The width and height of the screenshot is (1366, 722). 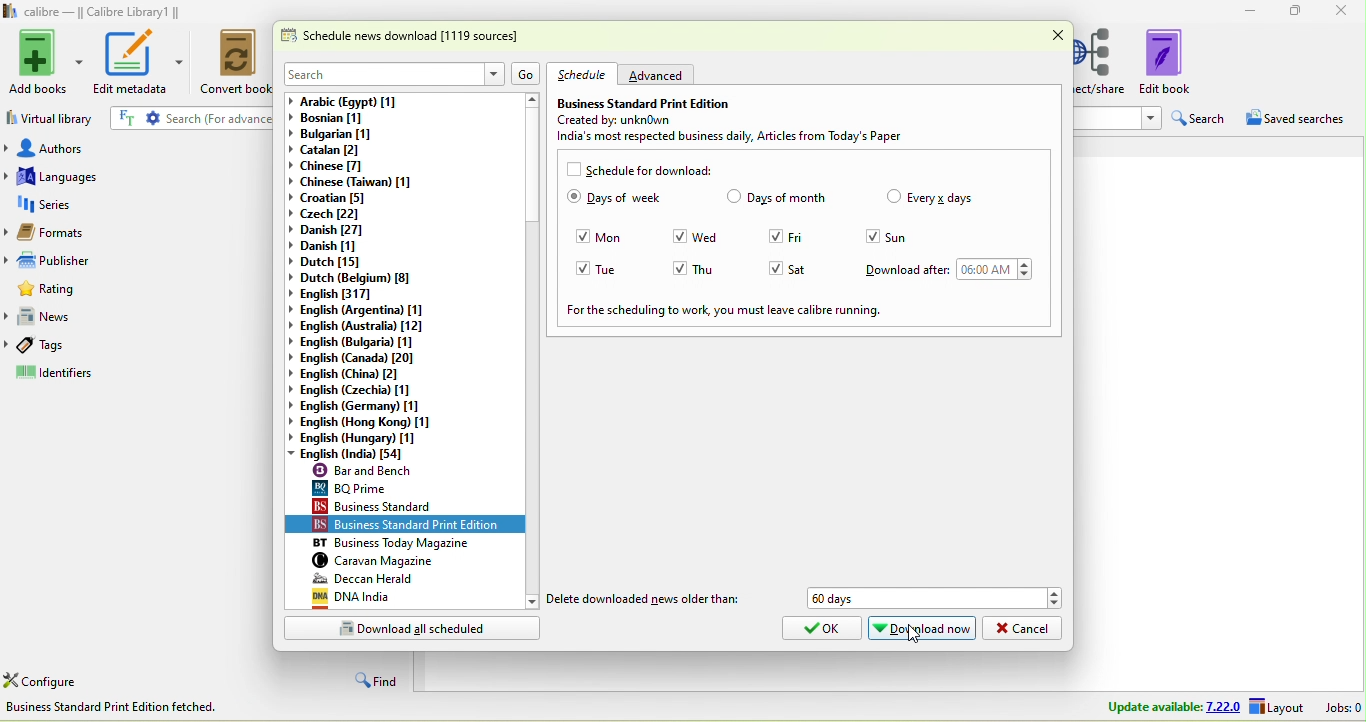 What do you see at coordinates (345, 119) in the screenshot?
I see `bosnian [1]` at bounding box center [345, 119].